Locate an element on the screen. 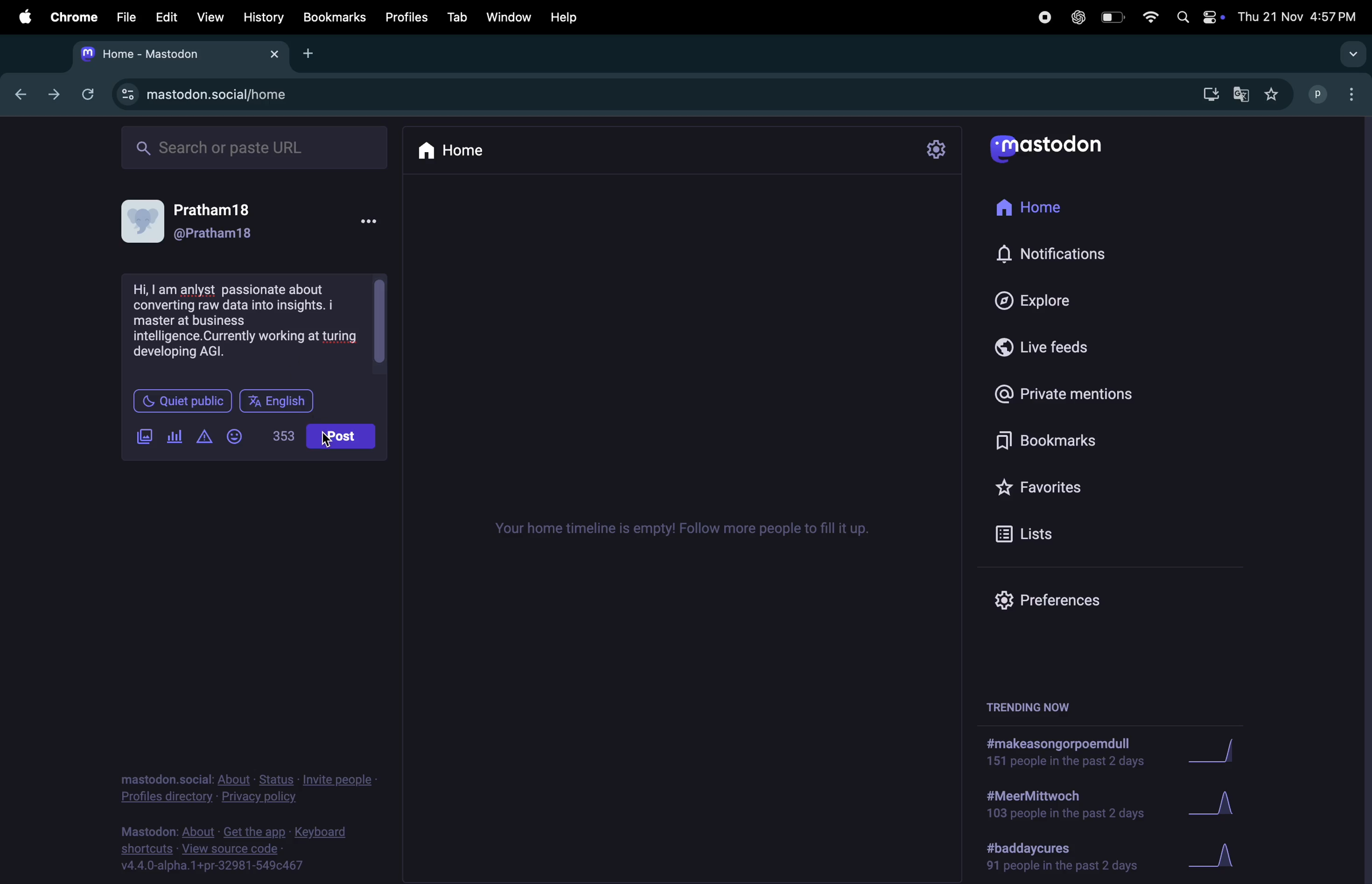 This screenshot has width=1372, height=884. refresh is located at coordinates (85, 93).